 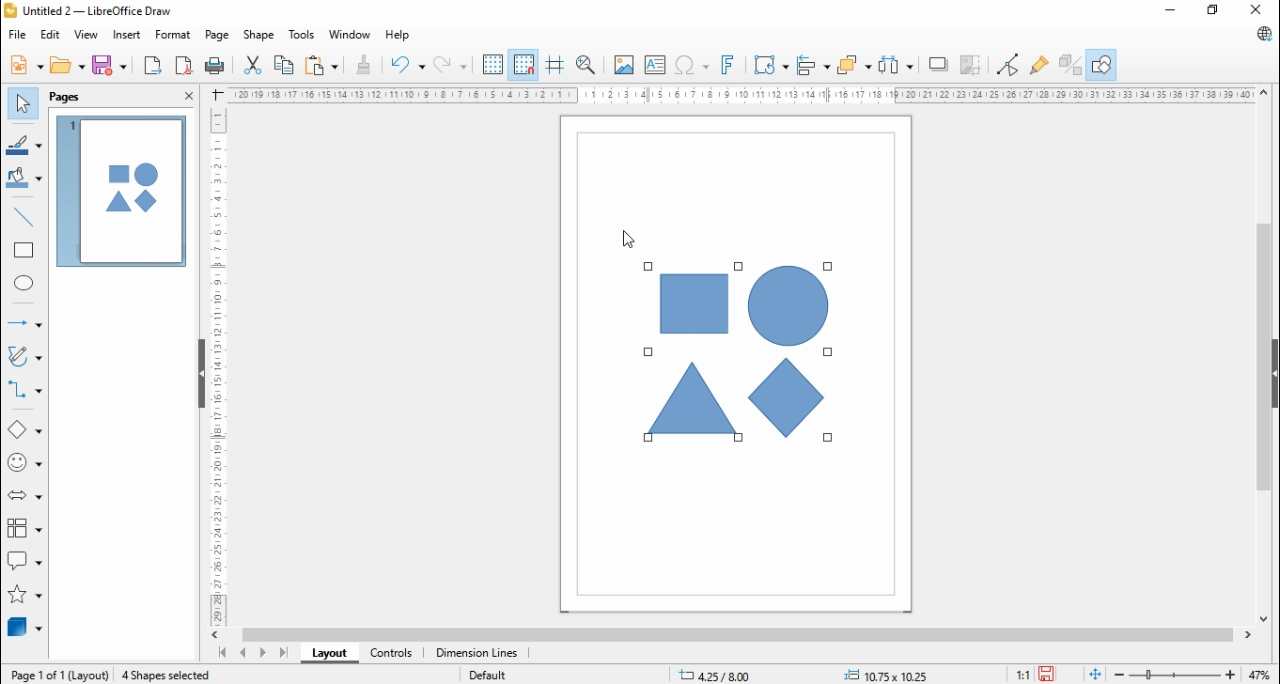 I want to click on zoom factor, so click(x=1260, y=673).